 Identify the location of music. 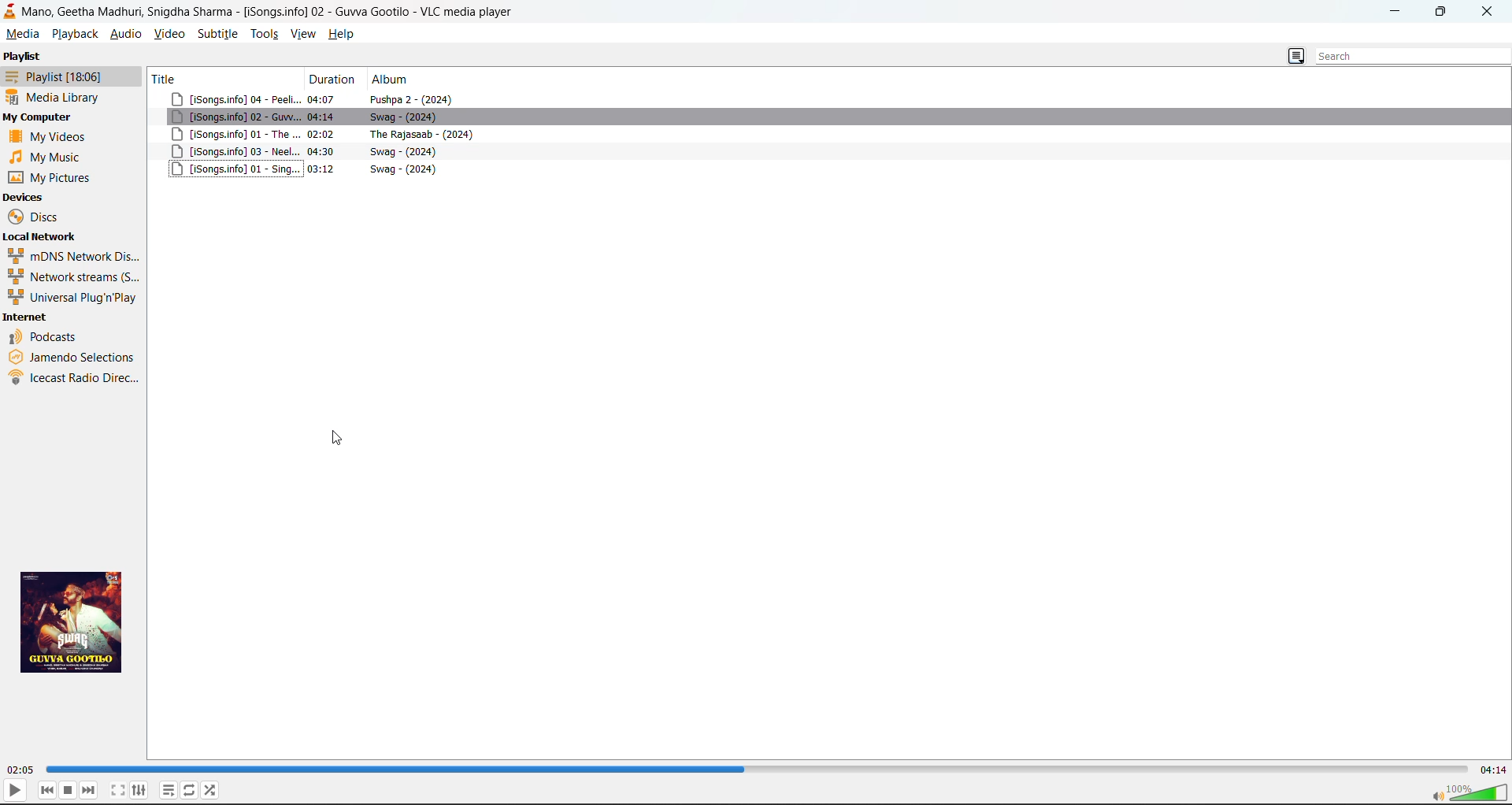
(48, 157).